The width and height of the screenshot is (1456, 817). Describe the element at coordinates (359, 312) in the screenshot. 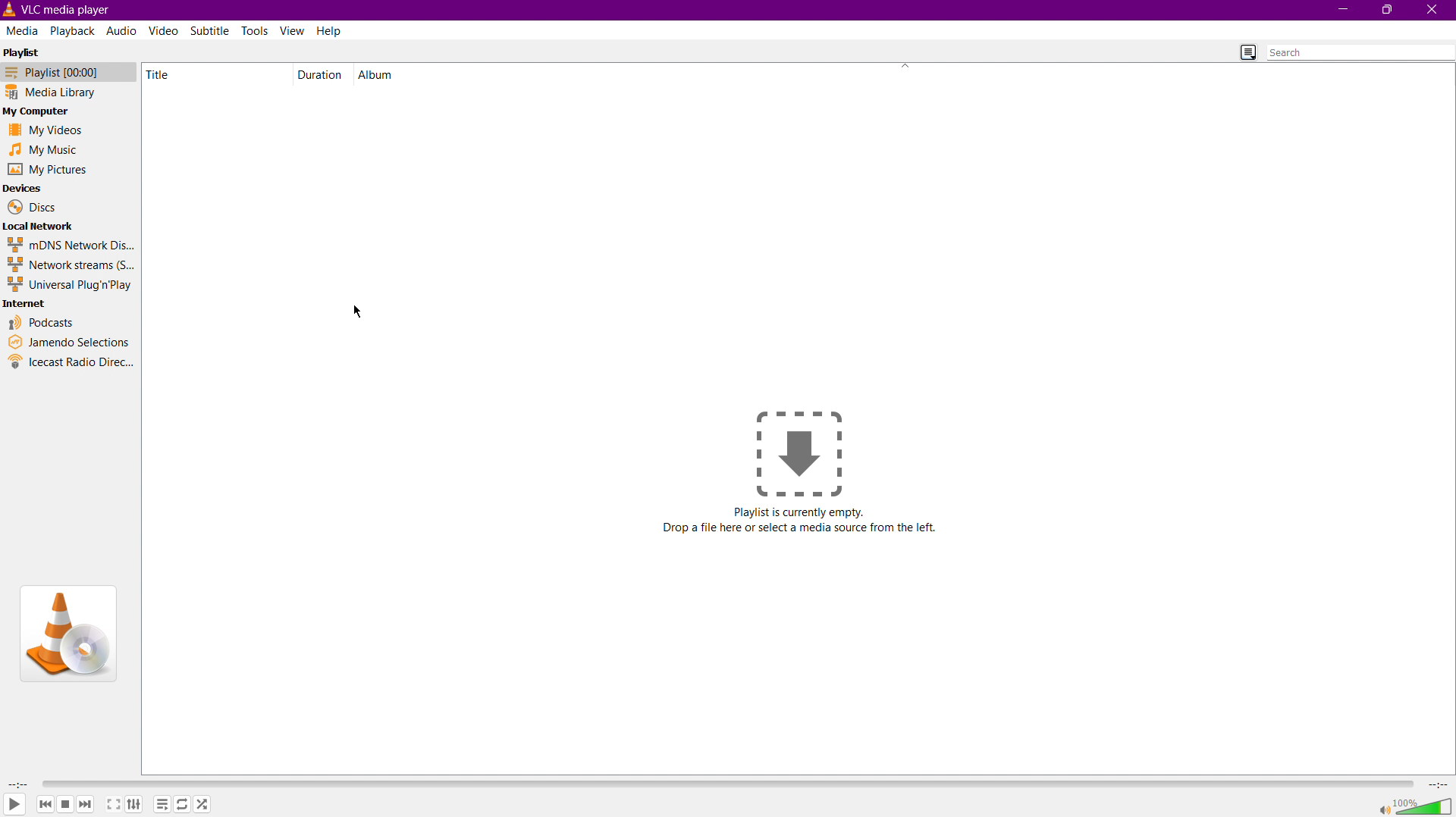

I see `Cursor Position` at that location.